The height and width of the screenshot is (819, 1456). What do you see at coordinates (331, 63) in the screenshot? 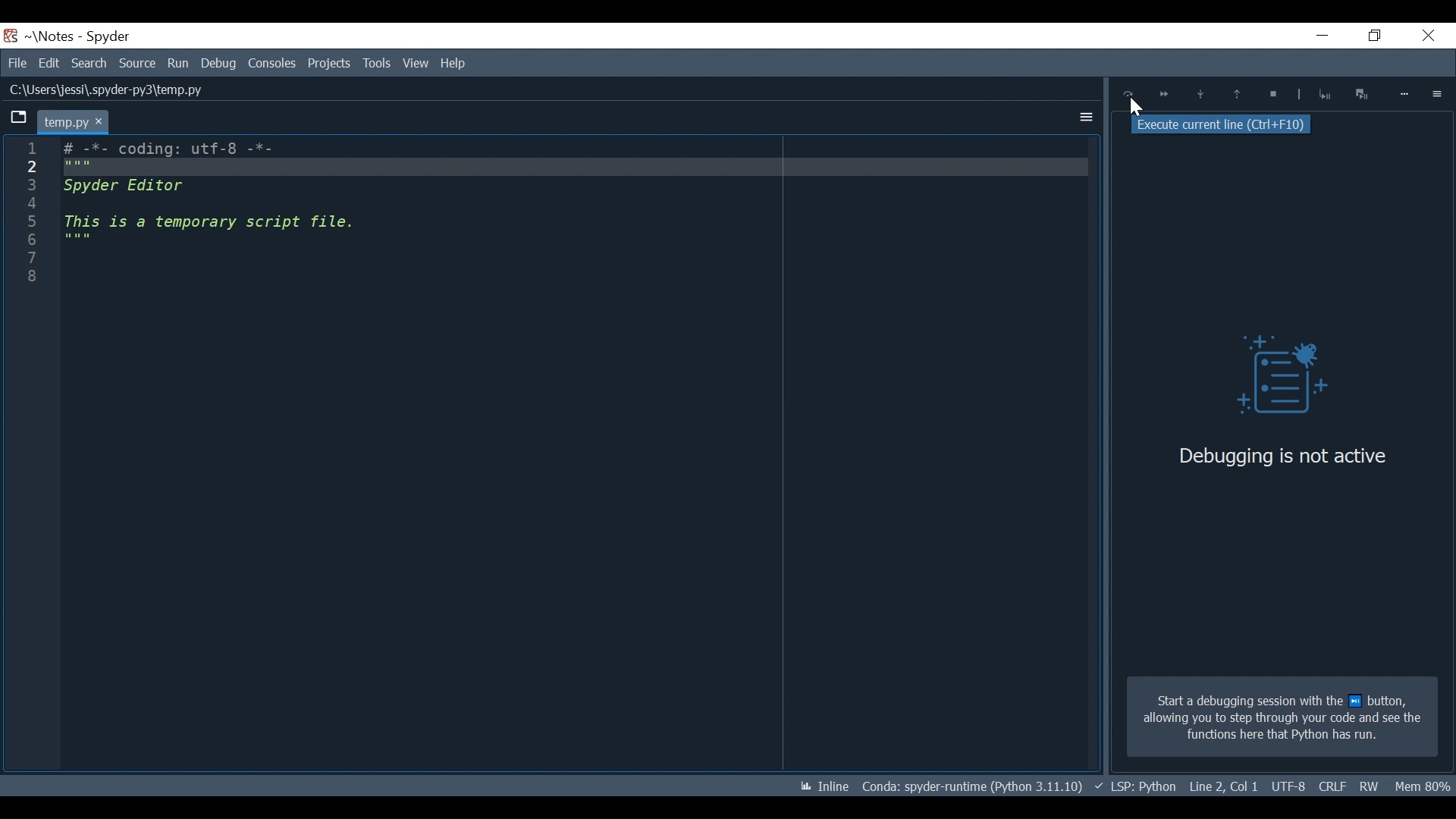
I see `Tools` at bounding box center [331, 63].